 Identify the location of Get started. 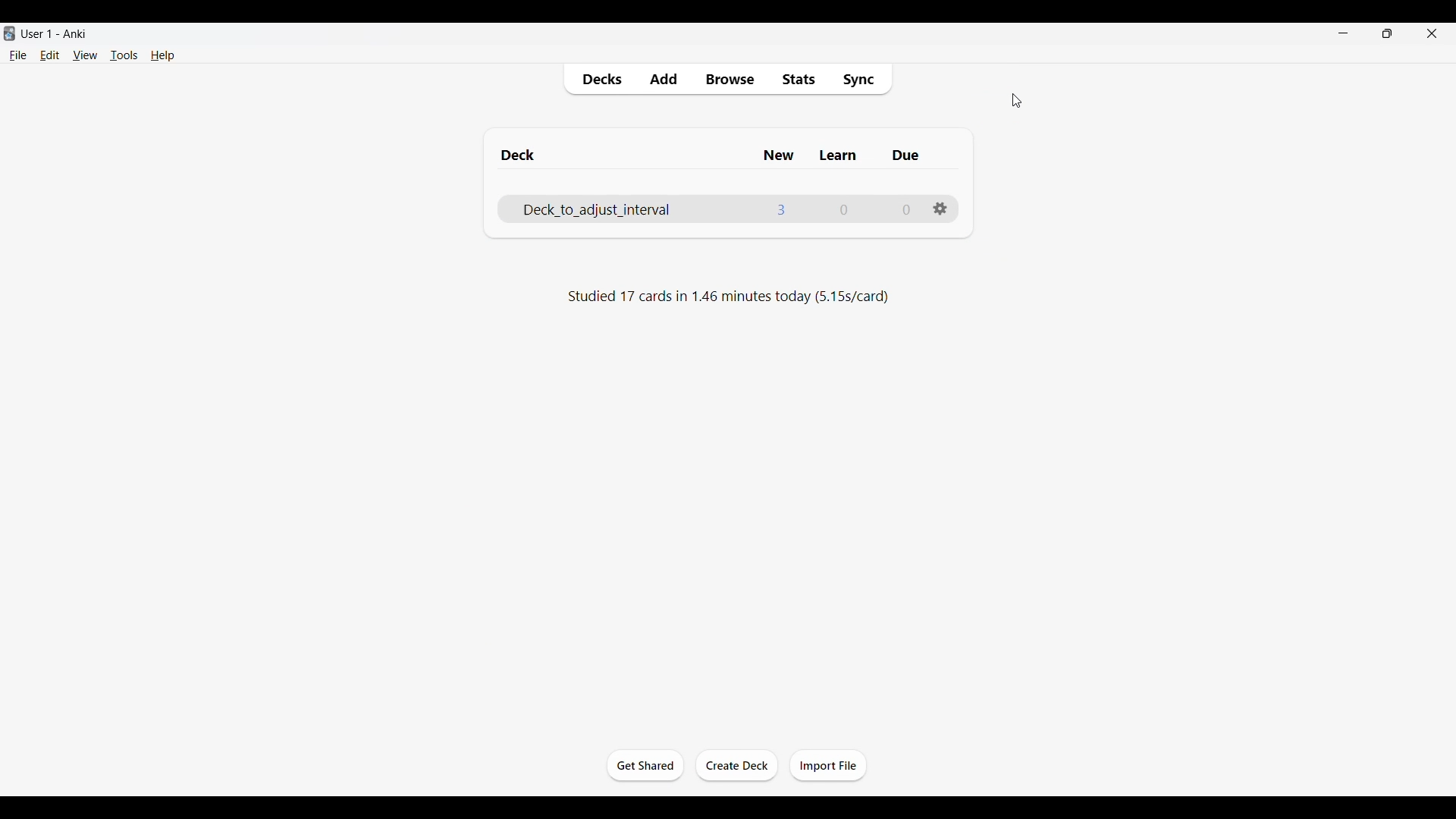
(645, 766).